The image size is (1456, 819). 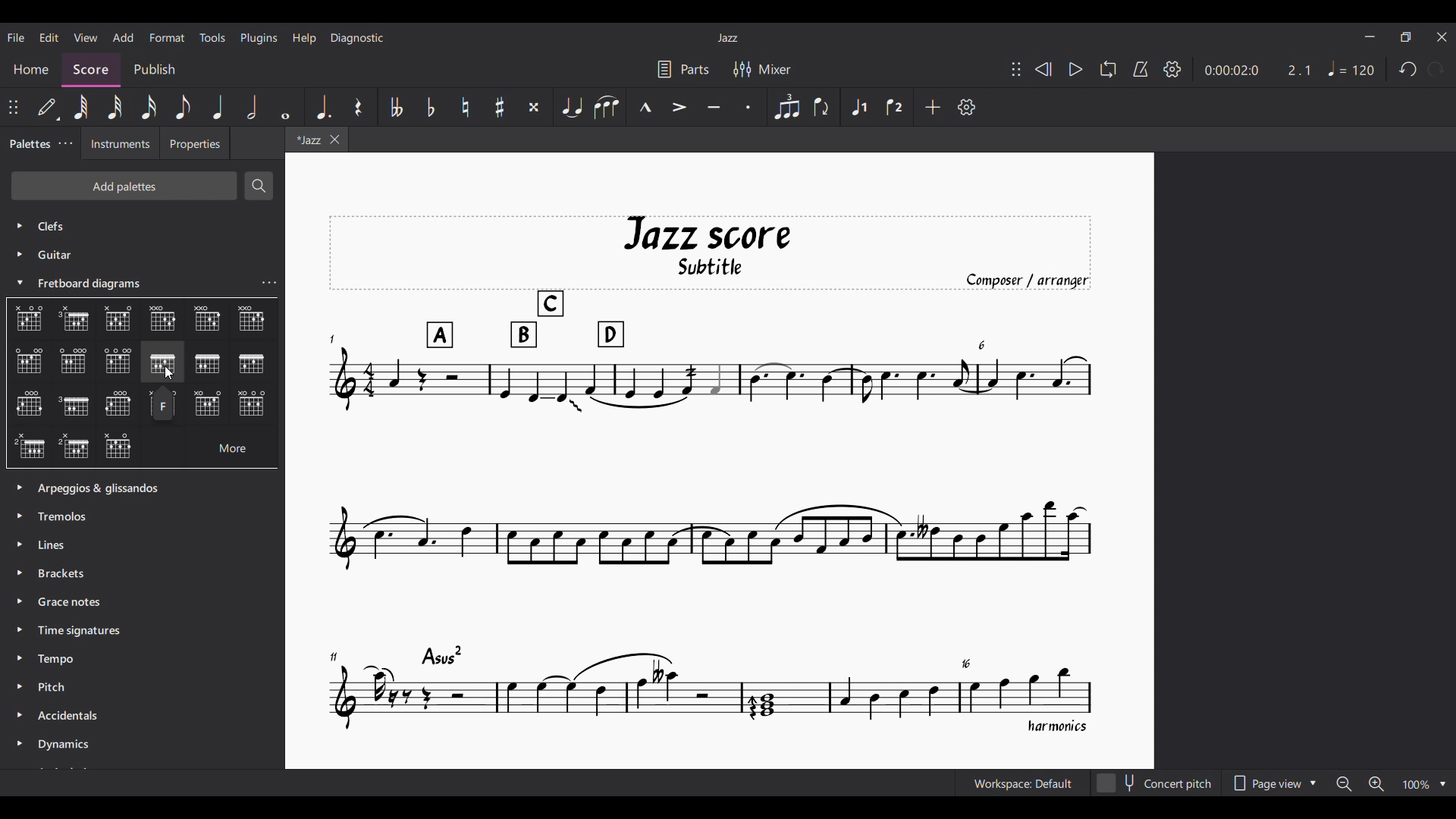 I want to click on Collapse, so click(x=20, y=281).